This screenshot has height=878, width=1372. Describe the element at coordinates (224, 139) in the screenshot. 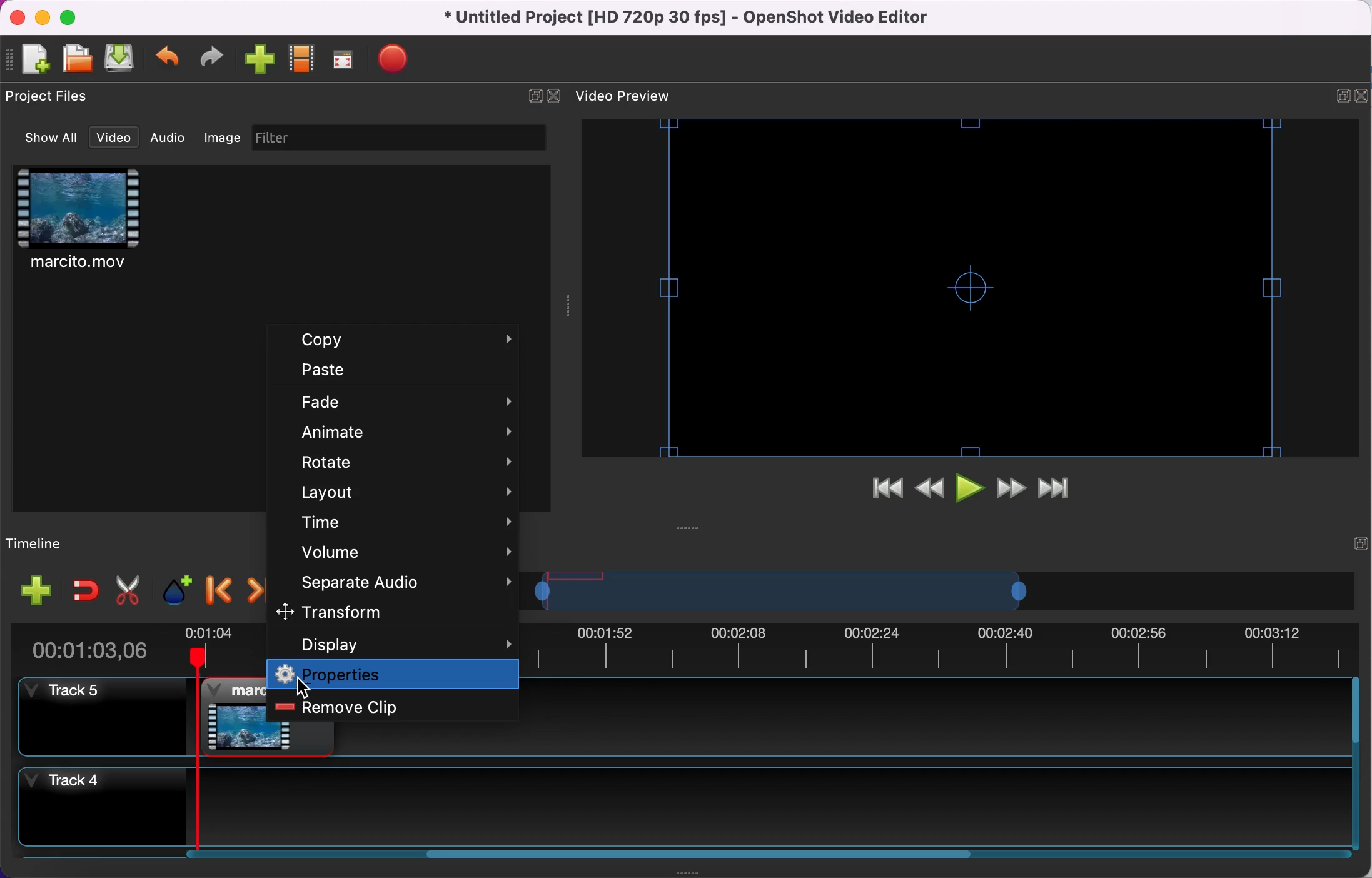

I see `image` at that location.